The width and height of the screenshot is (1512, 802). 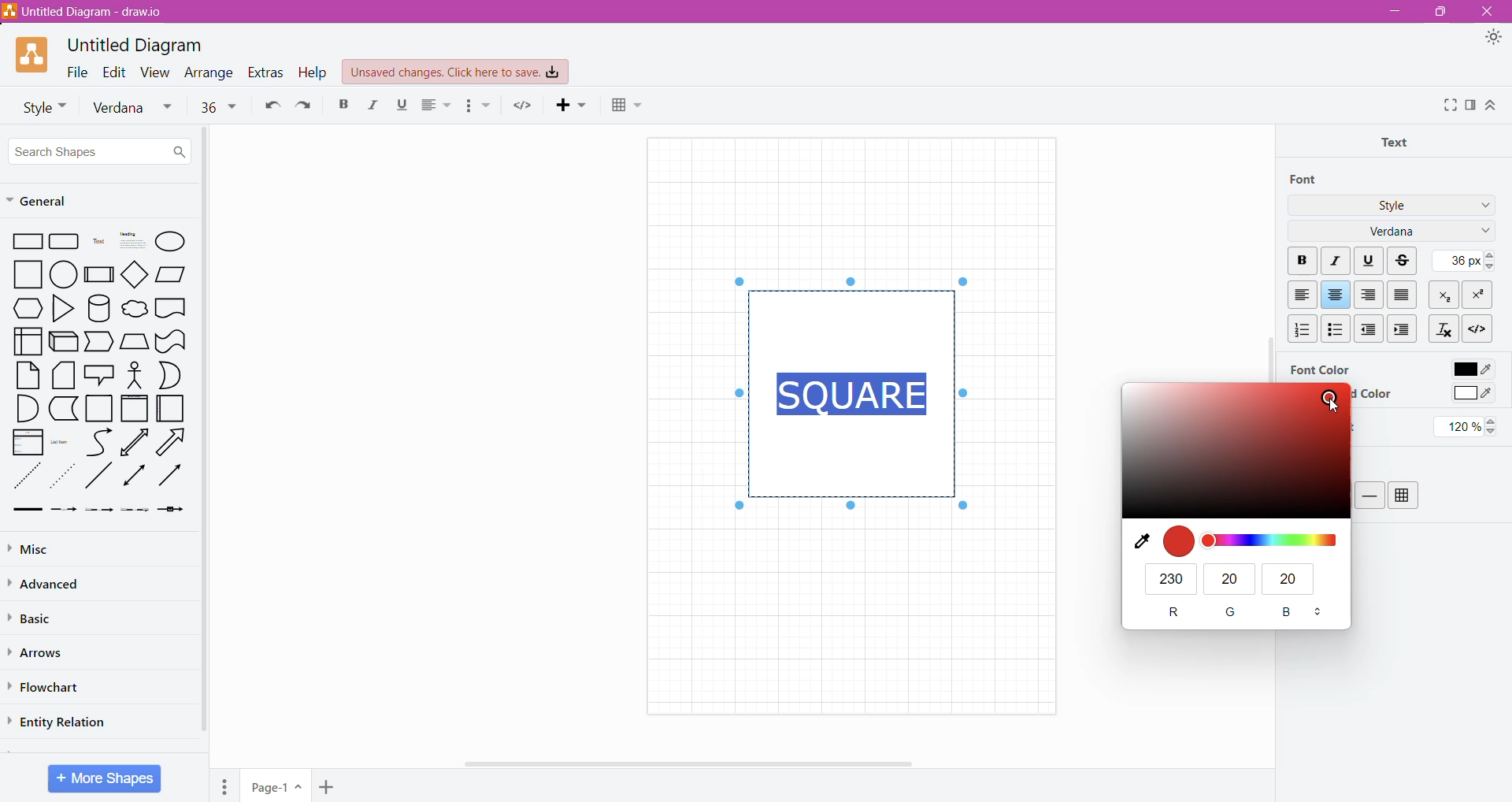 I want to click on Numbered List, so click(x=1299, y=329).